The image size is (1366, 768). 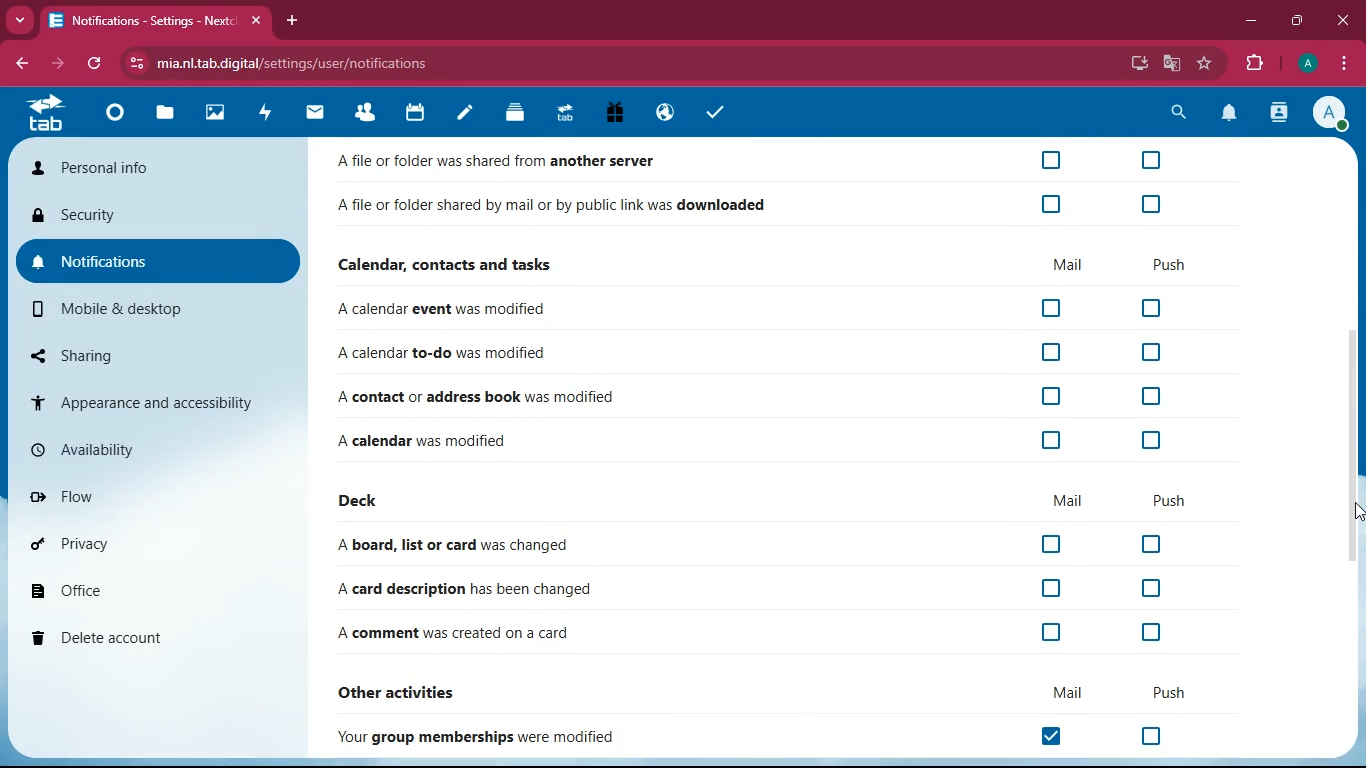 What do you see at coordinates (1330, 112) in the screenshot?
I see `Account` at bounding box center [1330, 112].